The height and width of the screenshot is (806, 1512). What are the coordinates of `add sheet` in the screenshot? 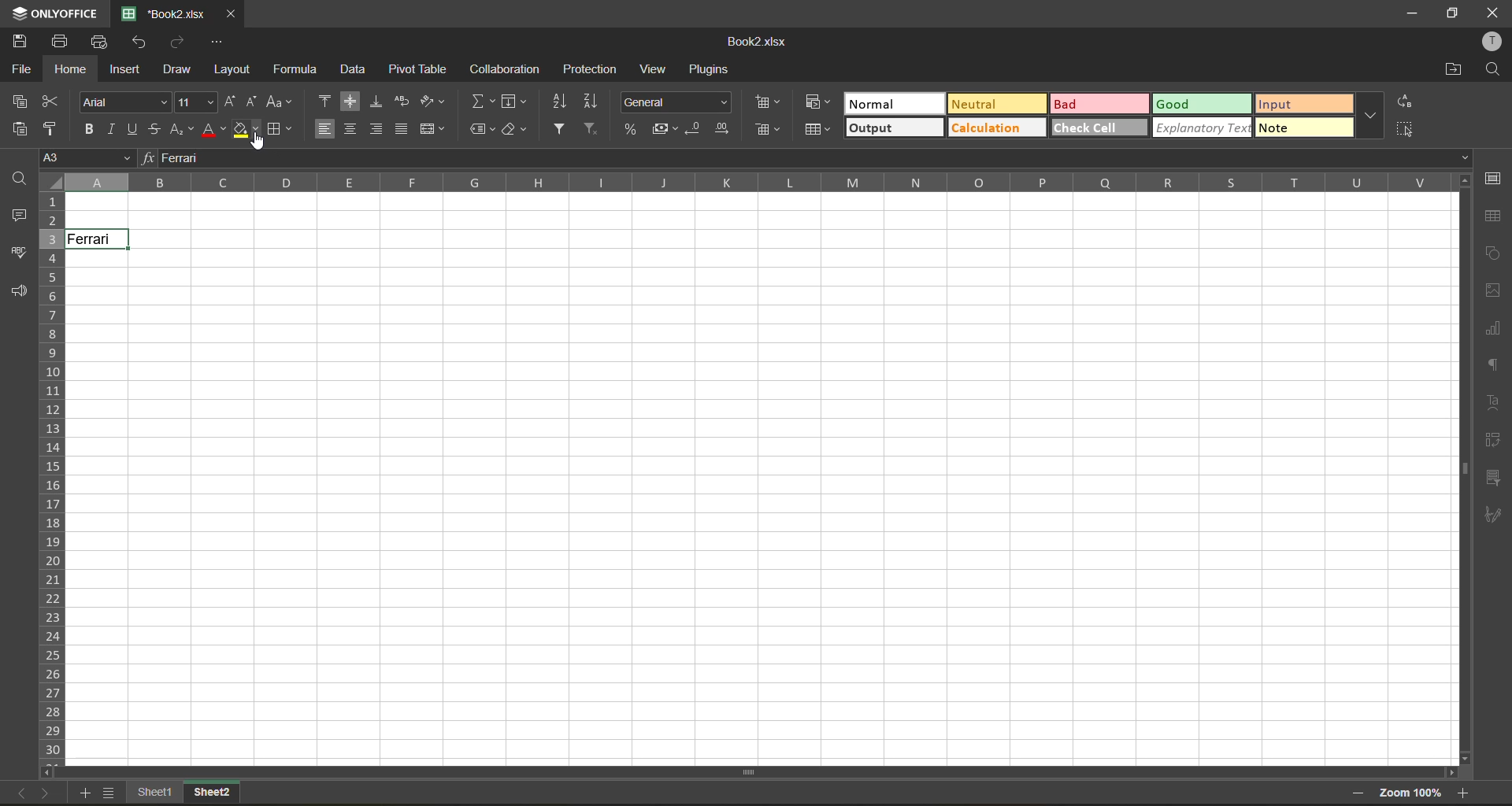 It's located at (78, 794).